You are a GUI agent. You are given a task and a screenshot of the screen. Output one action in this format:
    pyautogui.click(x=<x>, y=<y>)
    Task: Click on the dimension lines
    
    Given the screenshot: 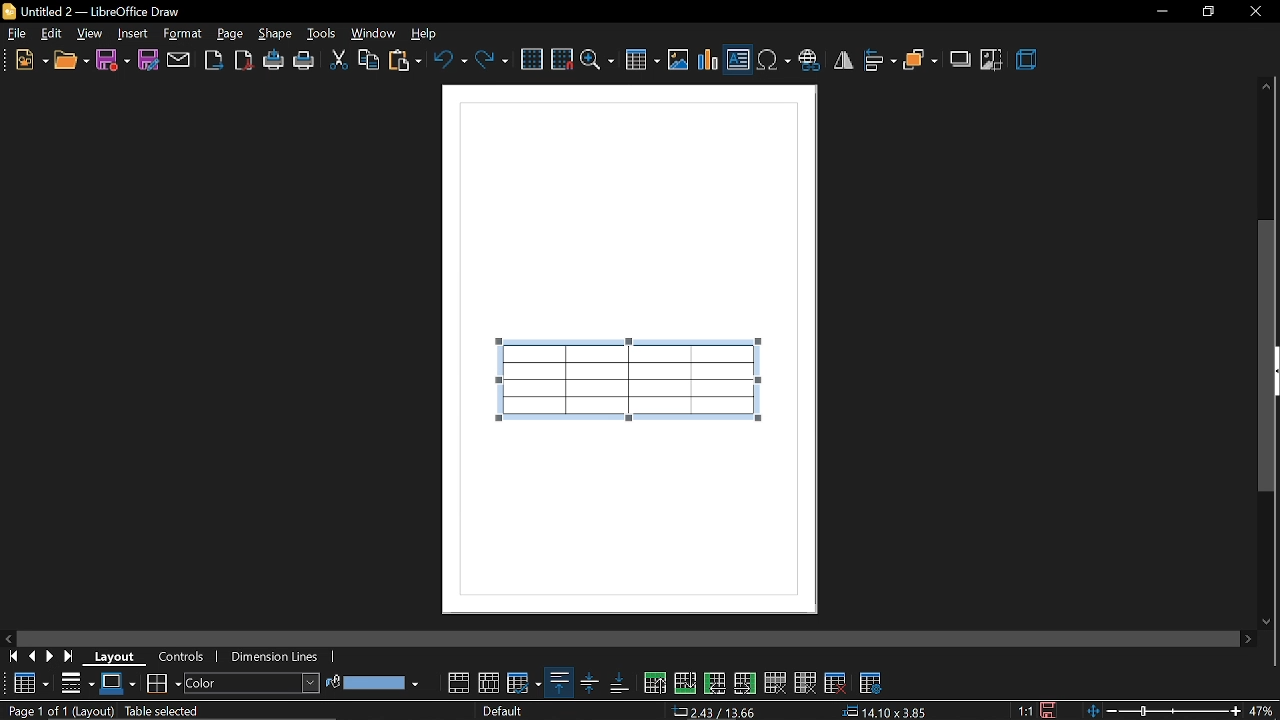 What is the action you would take?
    pyautogui.click(x=279, y=659)
    